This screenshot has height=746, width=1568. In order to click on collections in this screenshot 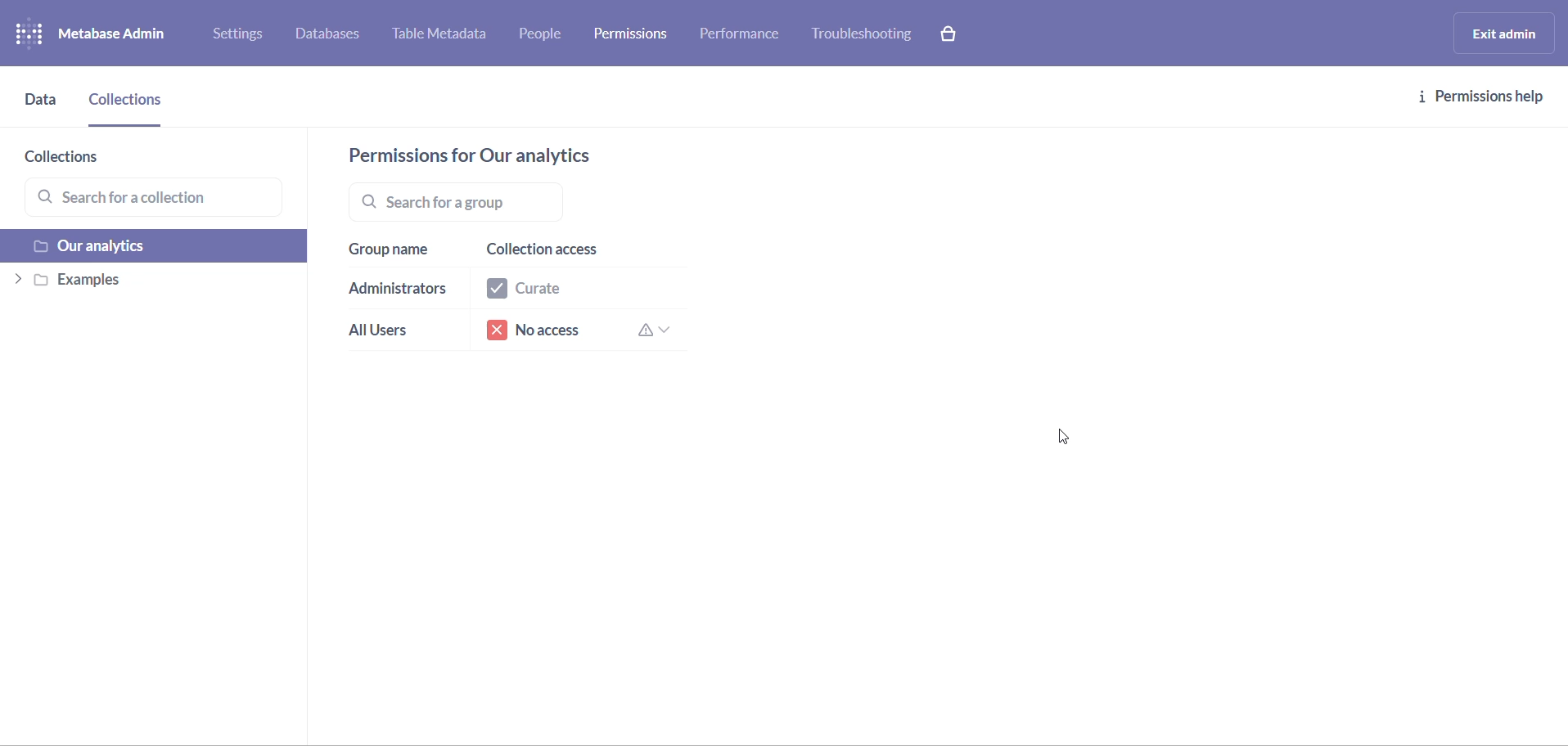, I will do `click(87, 159)`.